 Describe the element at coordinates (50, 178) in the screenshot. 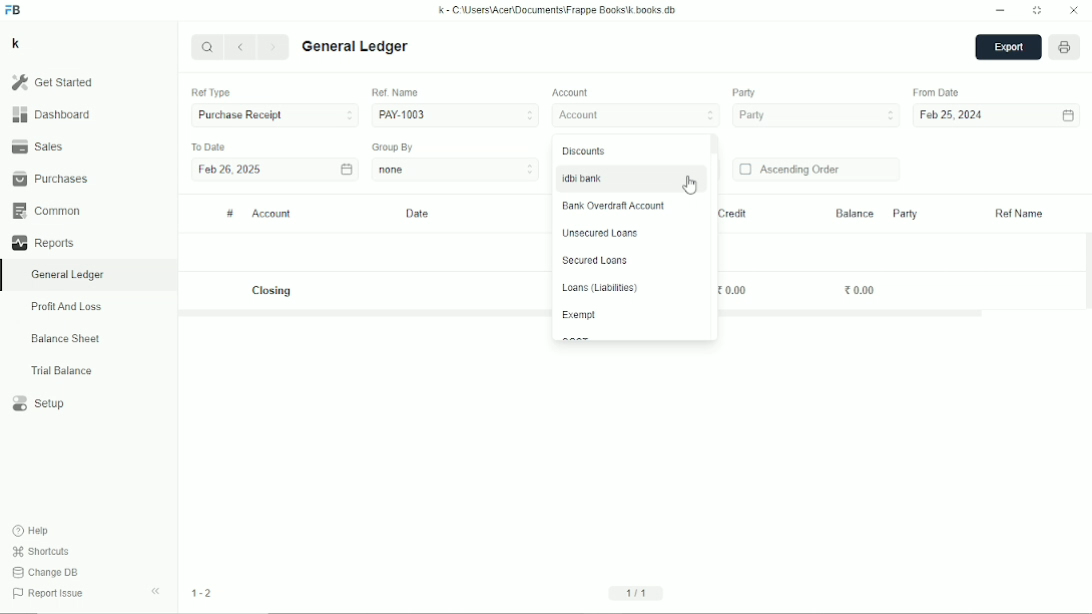

I see `Purchases` at that location.